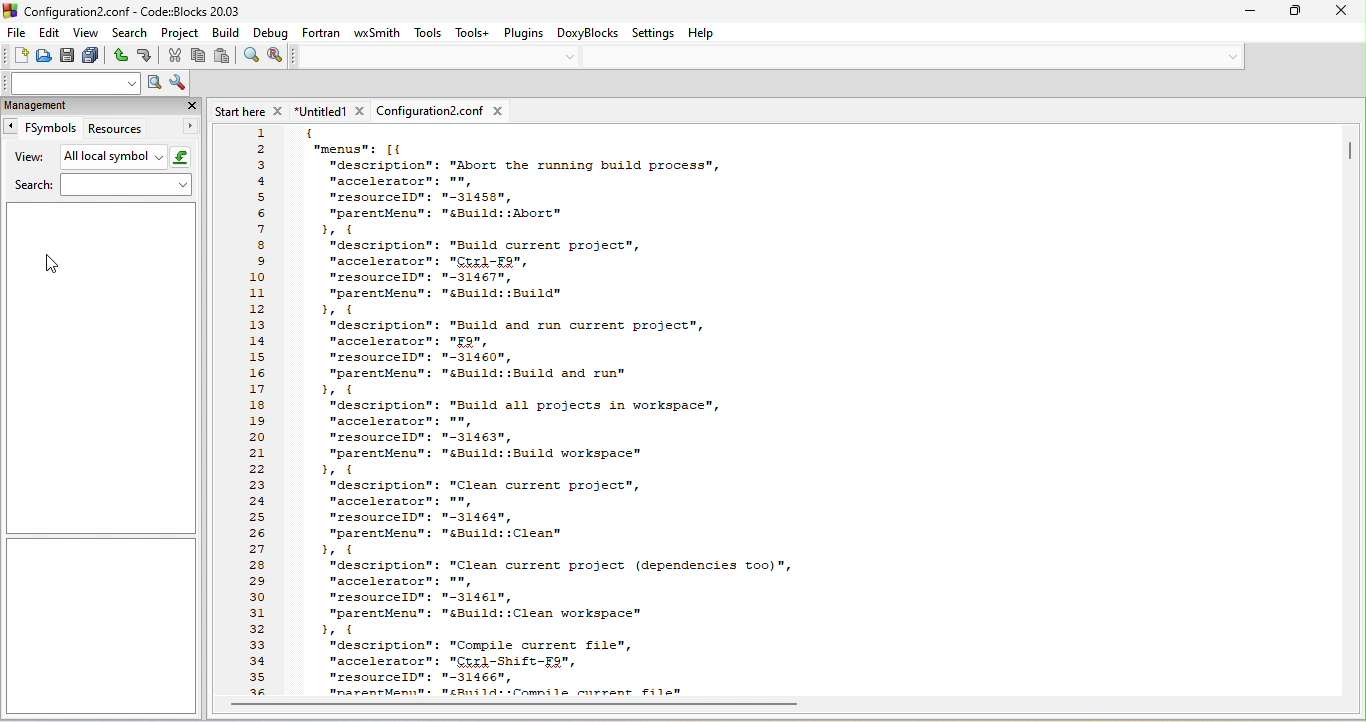 The height and width of the screenshot is (722, 1366). Describe the element at coordinates (226, 34) in the screenshot. I see `build` at that location.